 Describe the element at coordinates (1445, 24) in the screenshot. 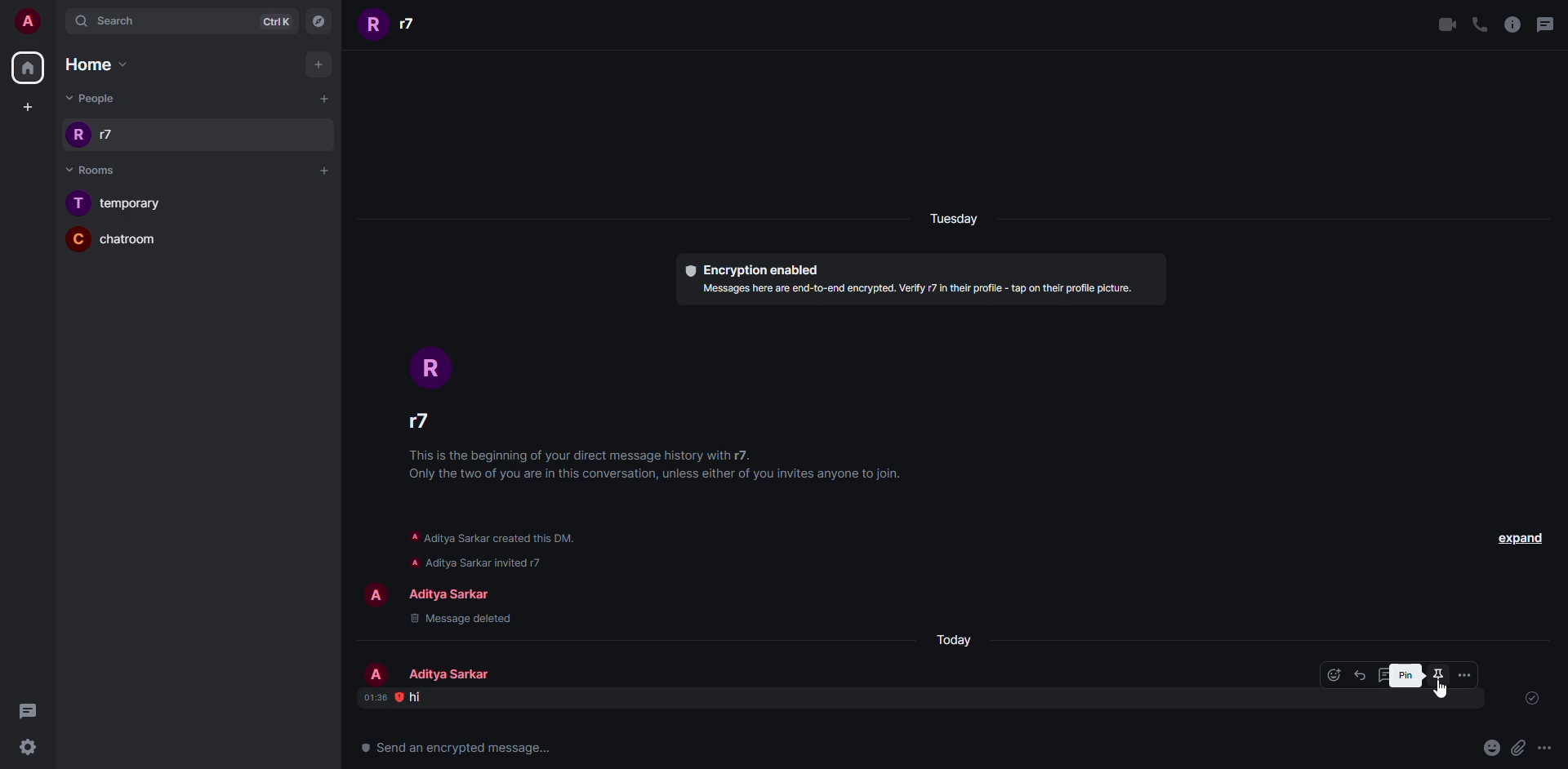

I see `video call` at that location.